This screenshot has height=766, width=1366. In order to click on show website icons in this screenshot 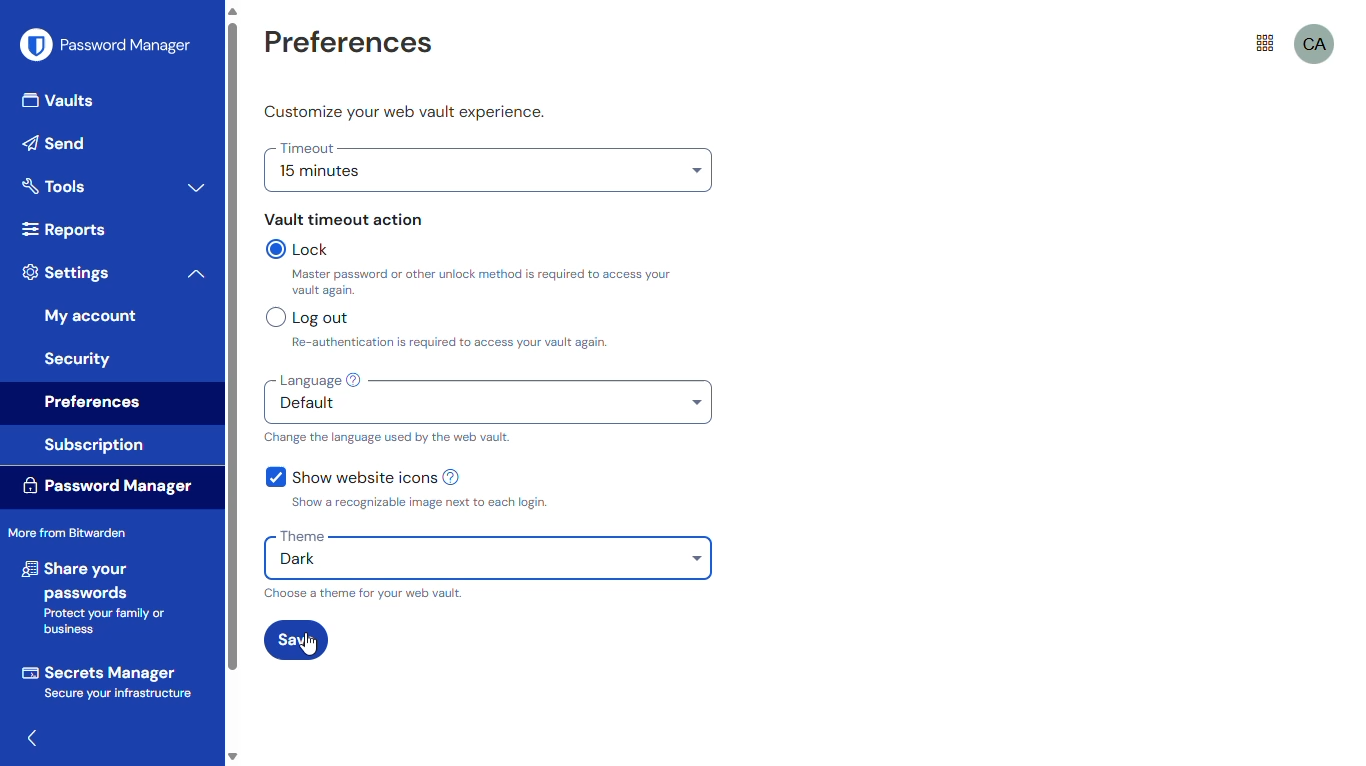, I will do `click(350, 476)`.